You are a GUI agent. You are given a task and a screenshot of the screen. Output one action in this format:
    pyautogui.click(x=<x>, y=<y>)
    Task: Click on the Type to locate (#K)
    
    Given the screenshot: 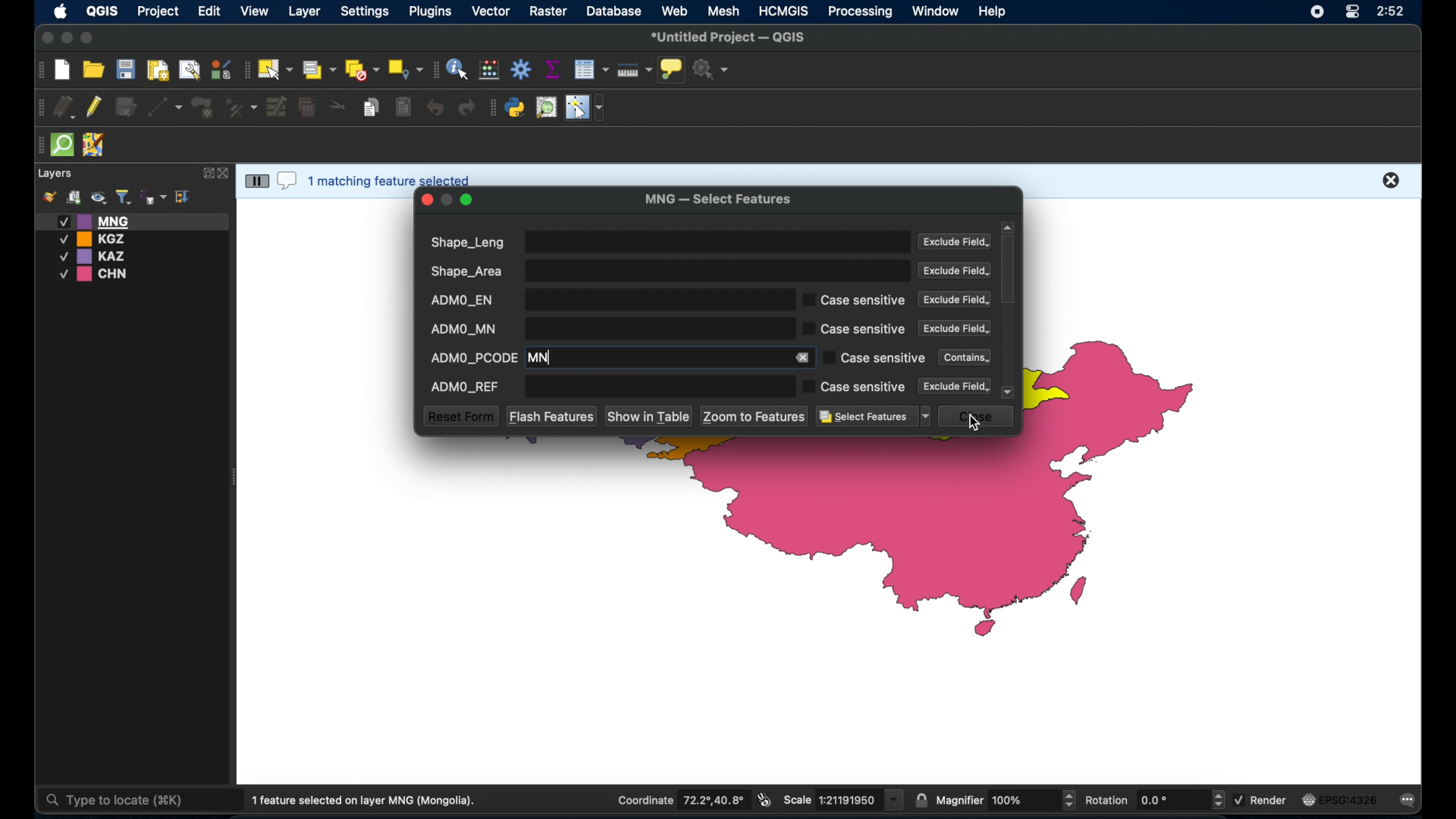 What is the action you would take?
    pyautogui.click(x=127, y=802)
    